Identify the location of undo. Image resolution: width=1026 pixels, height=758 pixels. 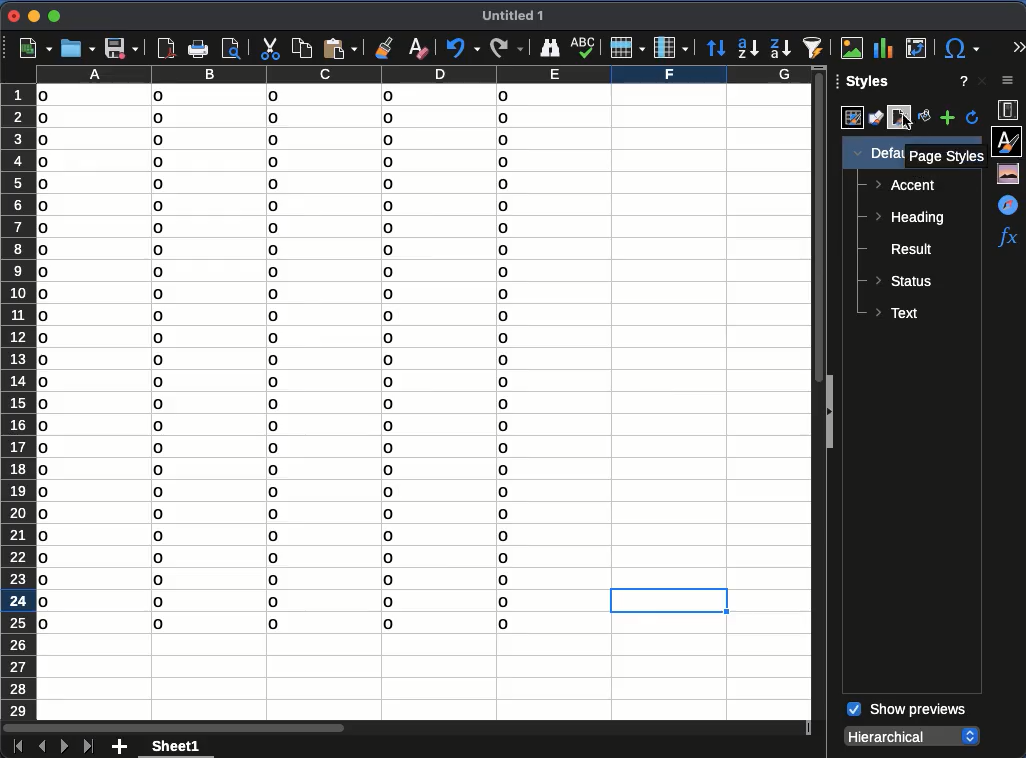
(463, 49).